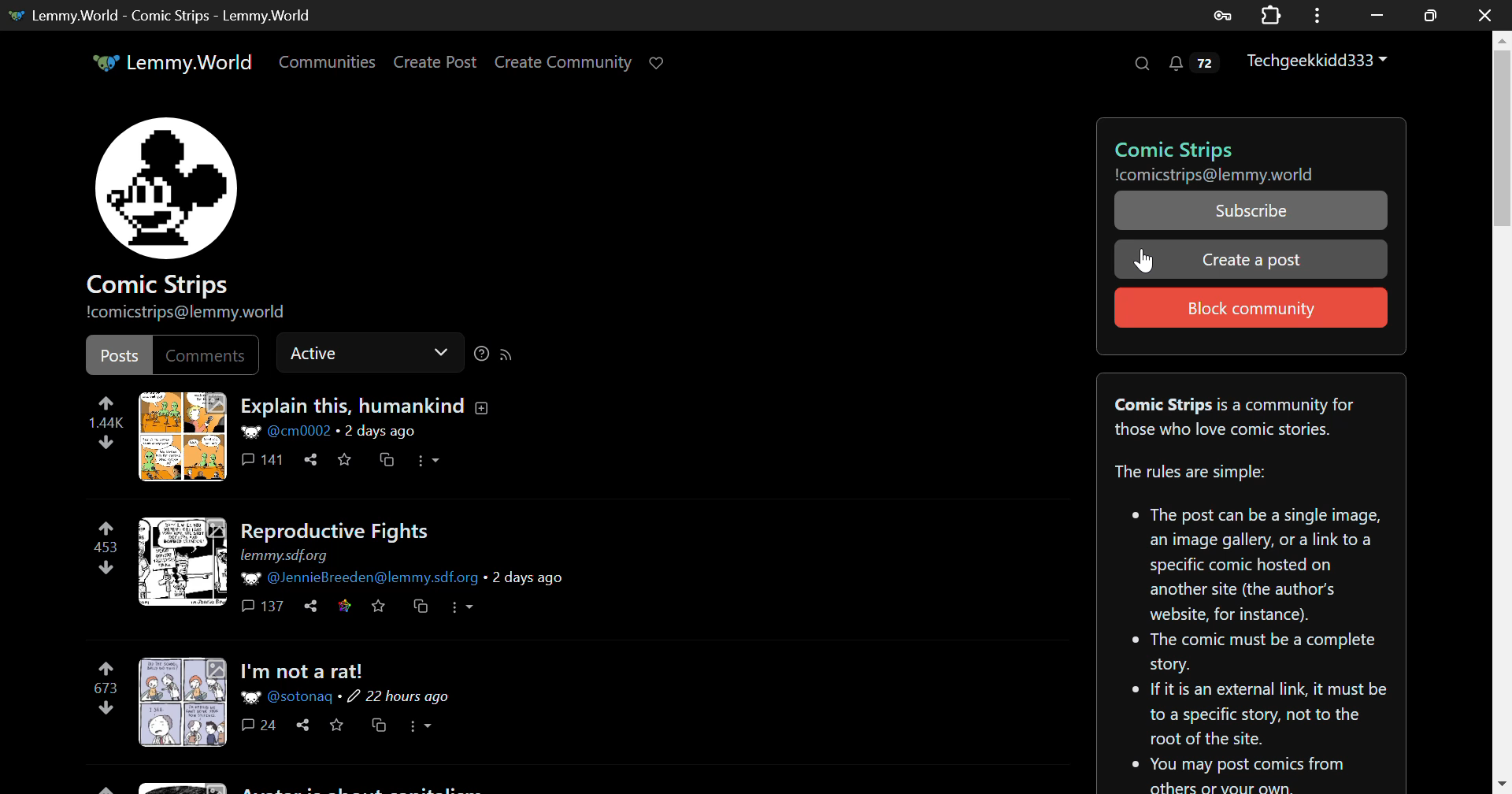 The height and width of the screenshot is (794, 1512). I want to click on Lemmy.World, so click(172, 62).